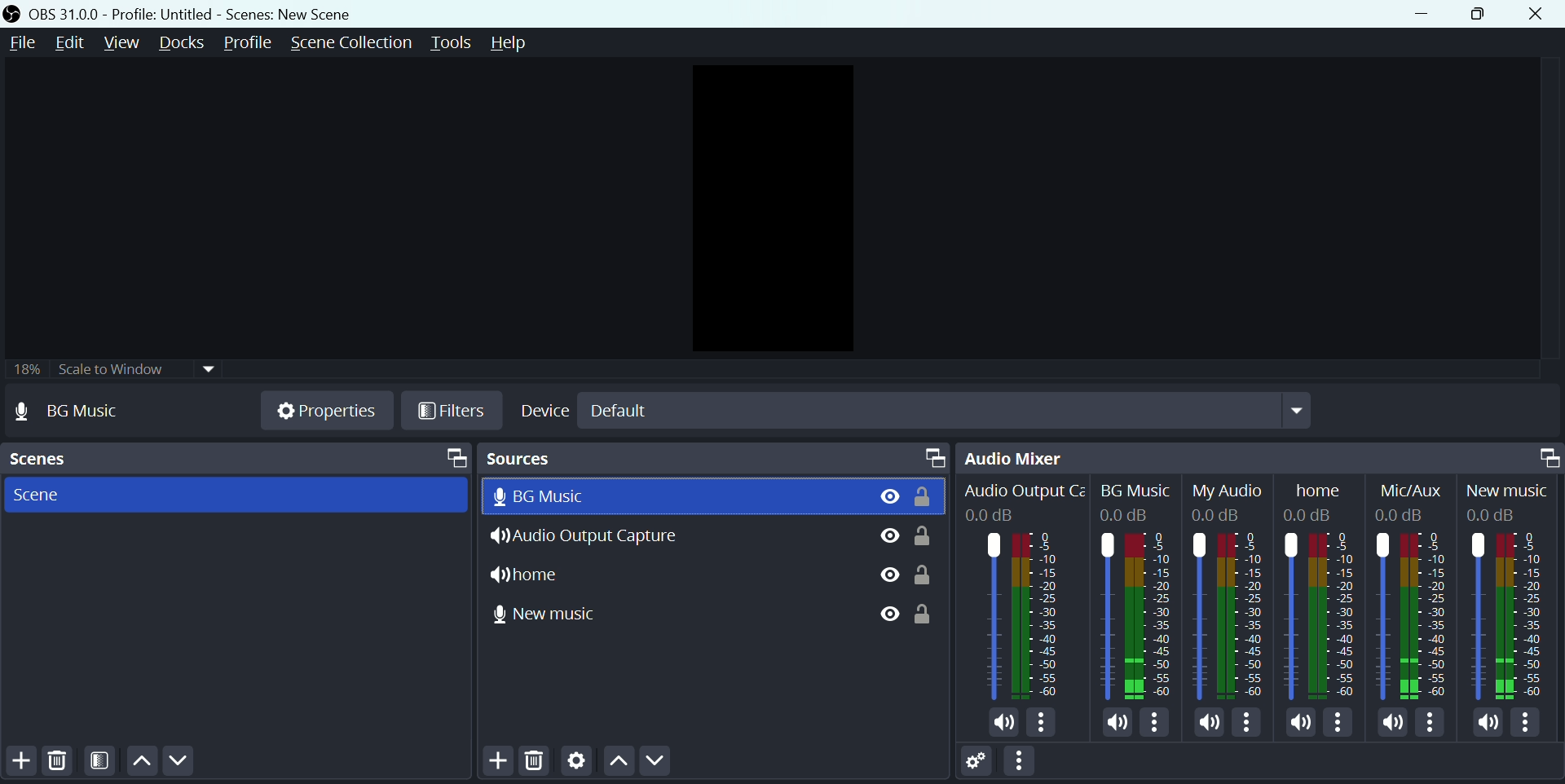 This screenshot has height=784, width=1565. Describe the element at coordinates (1115, 719) in the screenshot. I see `Mute/Unmutre` at that location.